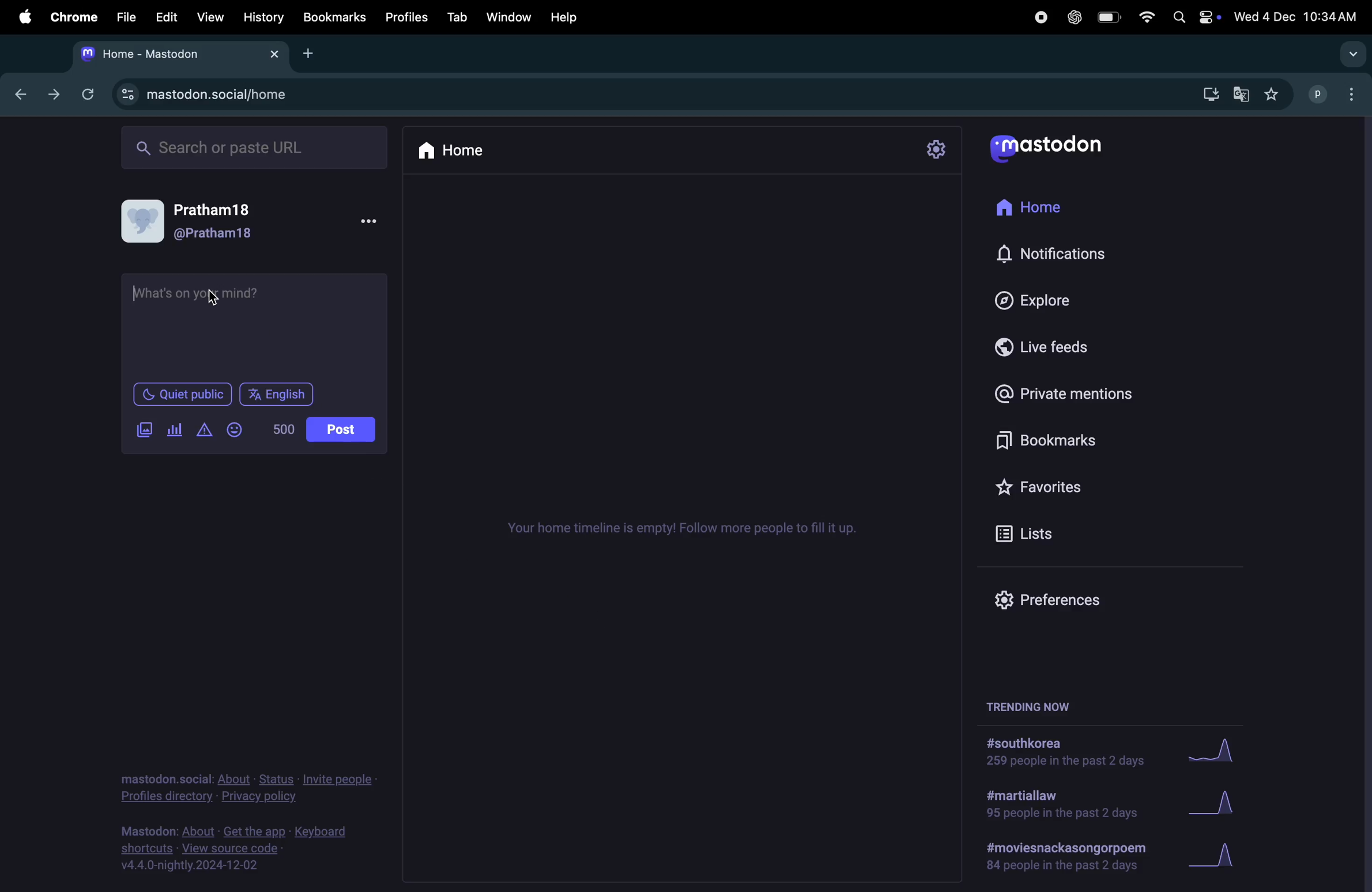  I want to click on Bookmarks, so click(334, 17).